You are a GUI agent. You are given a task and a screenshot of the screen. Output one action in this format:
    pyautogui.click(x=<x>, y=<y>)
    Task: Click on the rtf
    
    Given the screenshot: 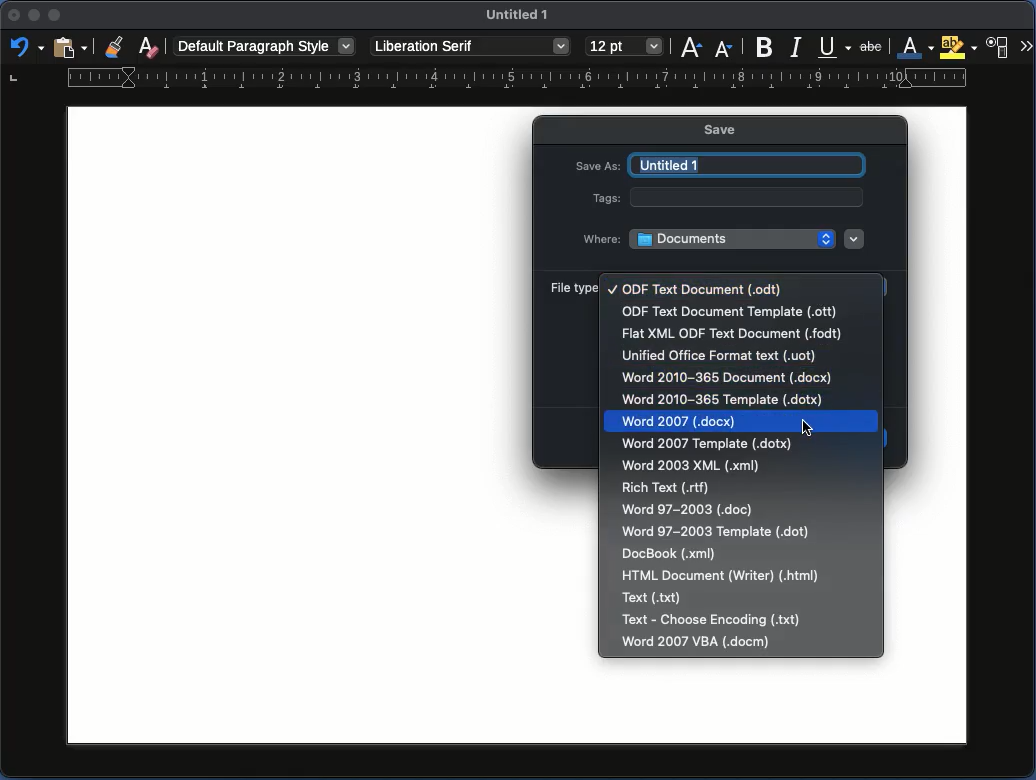 What is the action you would take?
    pyautogui.click(x=670, y=487)
    